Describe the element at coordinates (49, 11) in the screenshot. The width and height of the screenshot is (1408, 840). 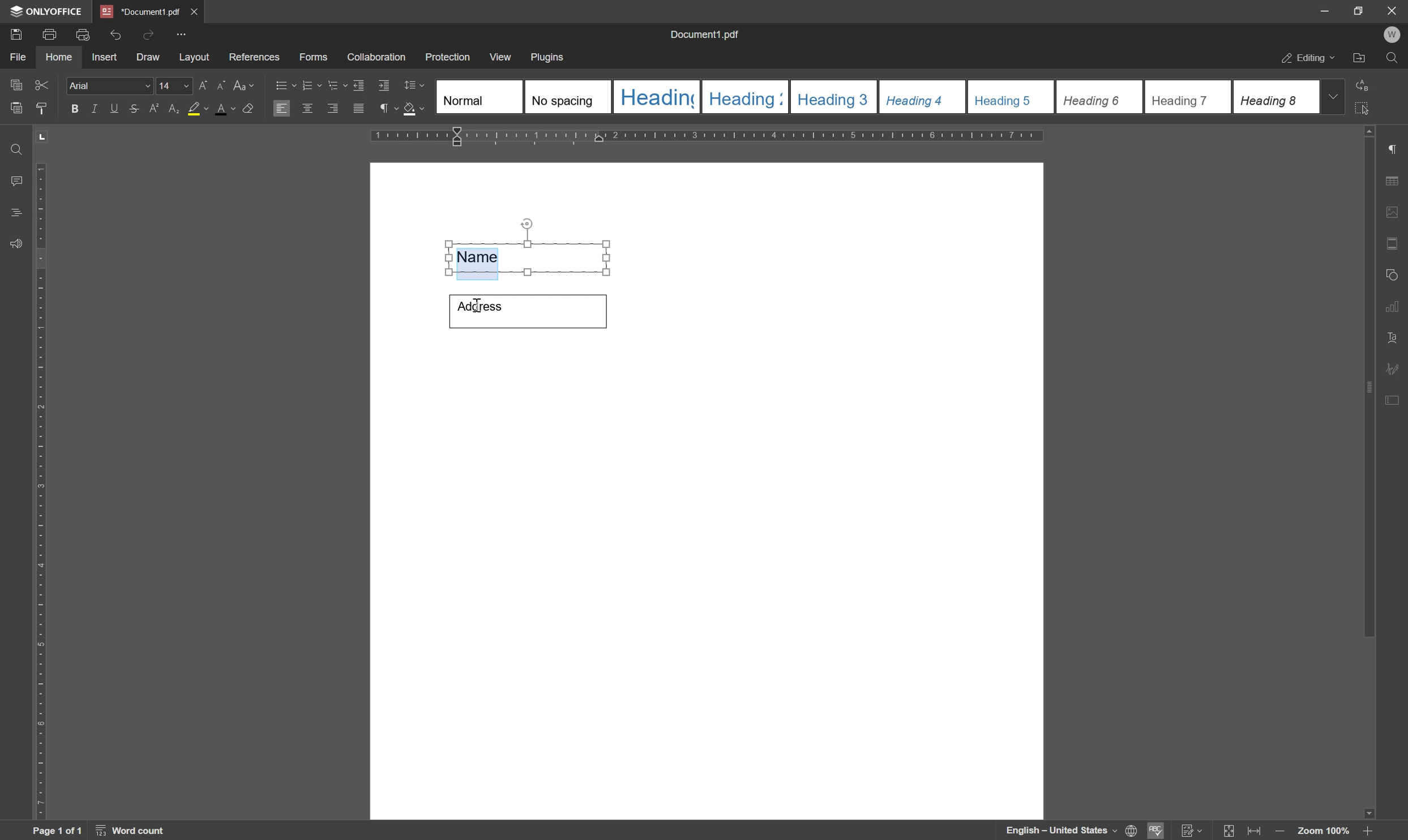
I see `onlyoffice` at that location.